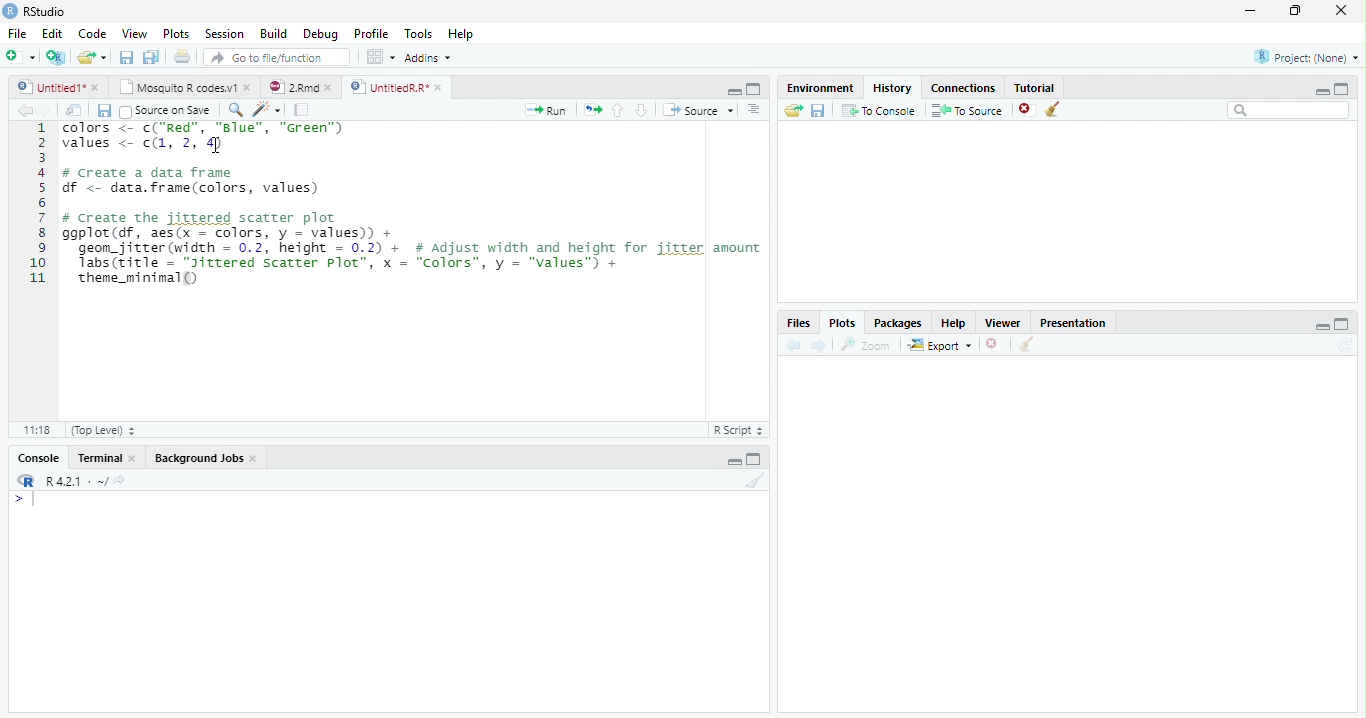 The width and height of the screenshot is (1366, 718). Describe the element at coordinates (818, 110) in the screenshot. I see `Save history into a file` at that location.